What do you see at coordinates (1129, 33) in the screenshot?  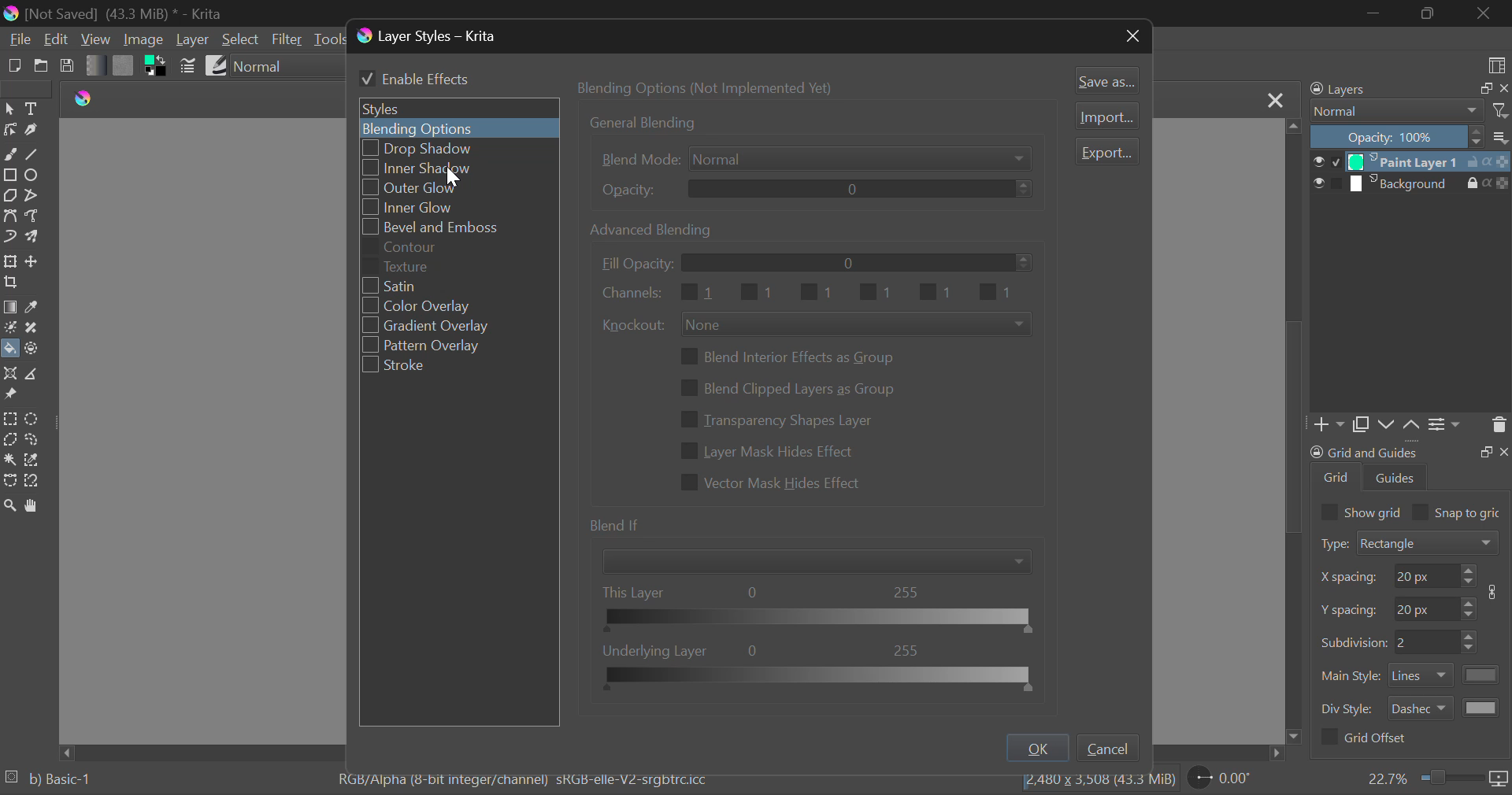 I see `Close` at bounding box center [1129, 33].